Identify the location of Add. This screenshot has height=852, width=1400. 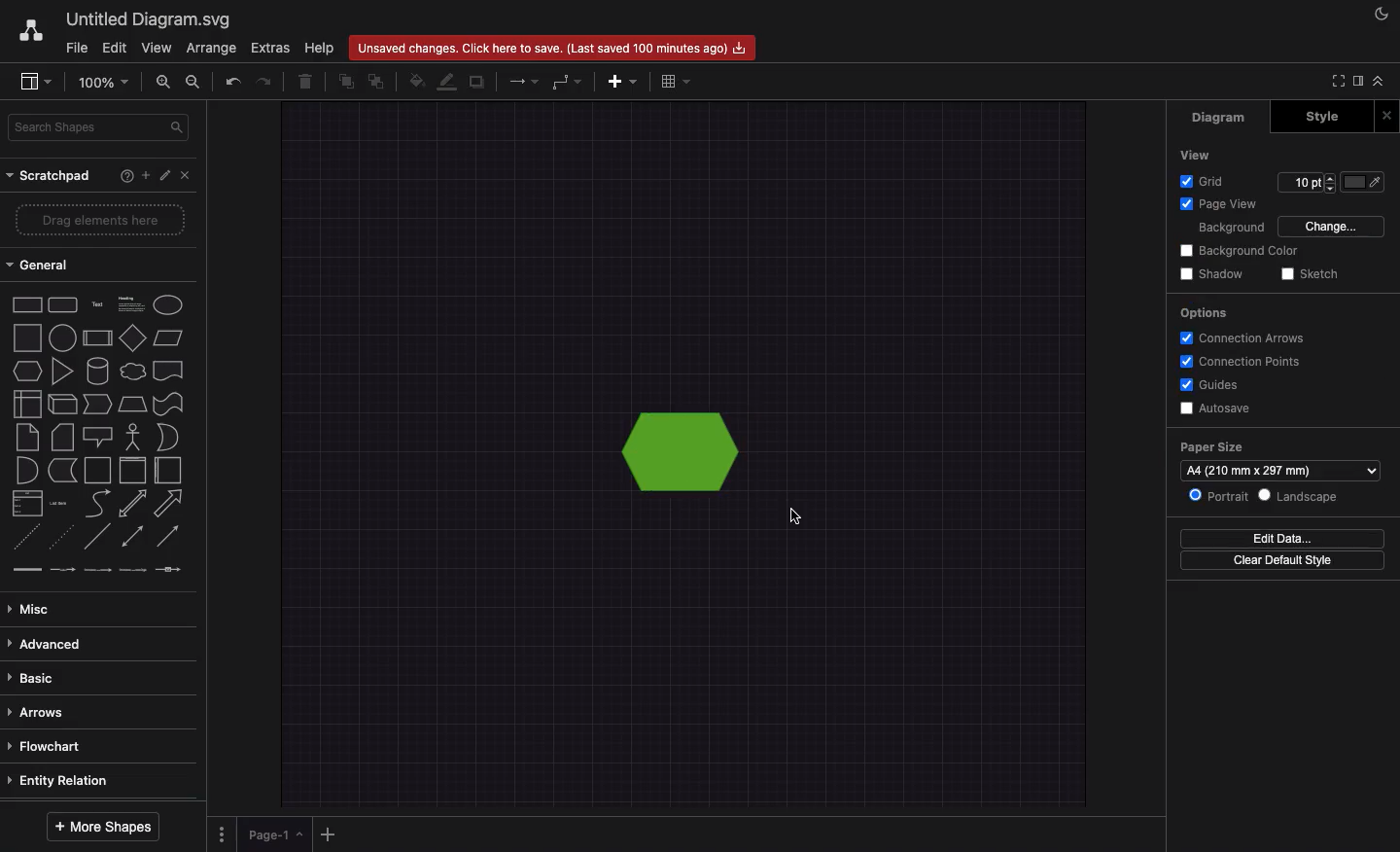
(625, 82).